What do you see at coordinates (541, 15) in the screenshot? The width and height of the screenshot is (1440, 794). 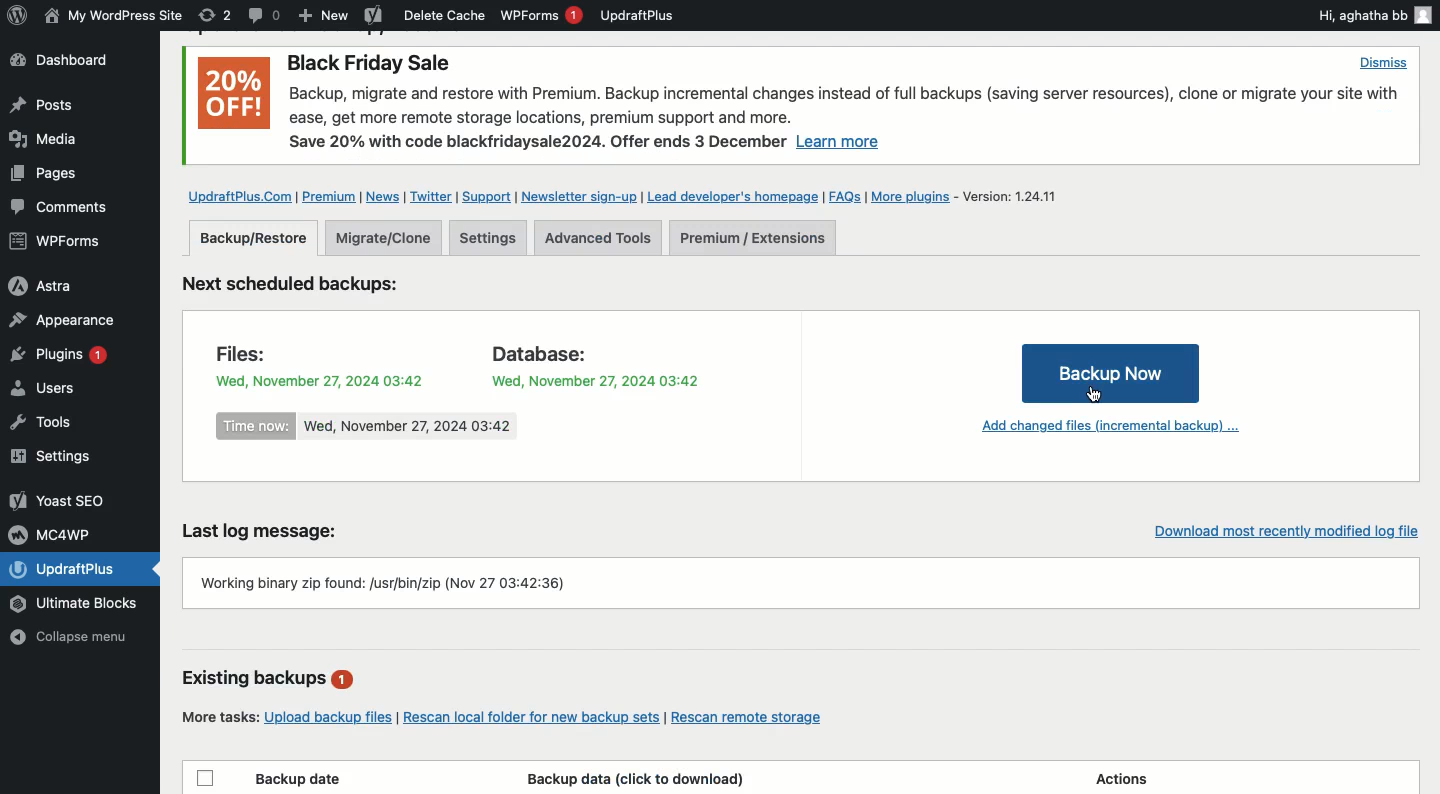 I see `WPForms 1` at bounding box center [541, 15].